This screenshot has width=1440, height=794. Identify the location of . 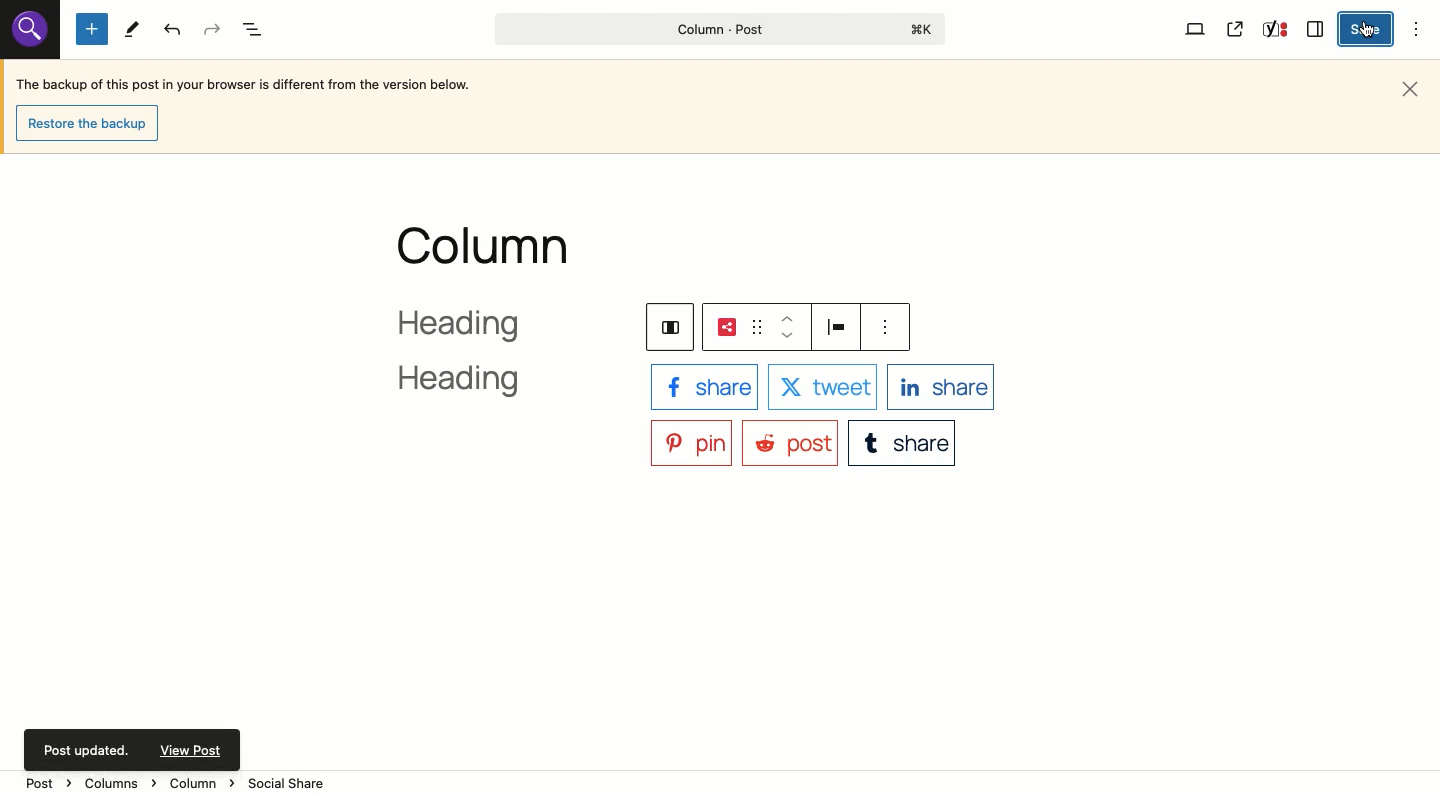
(27, 30).